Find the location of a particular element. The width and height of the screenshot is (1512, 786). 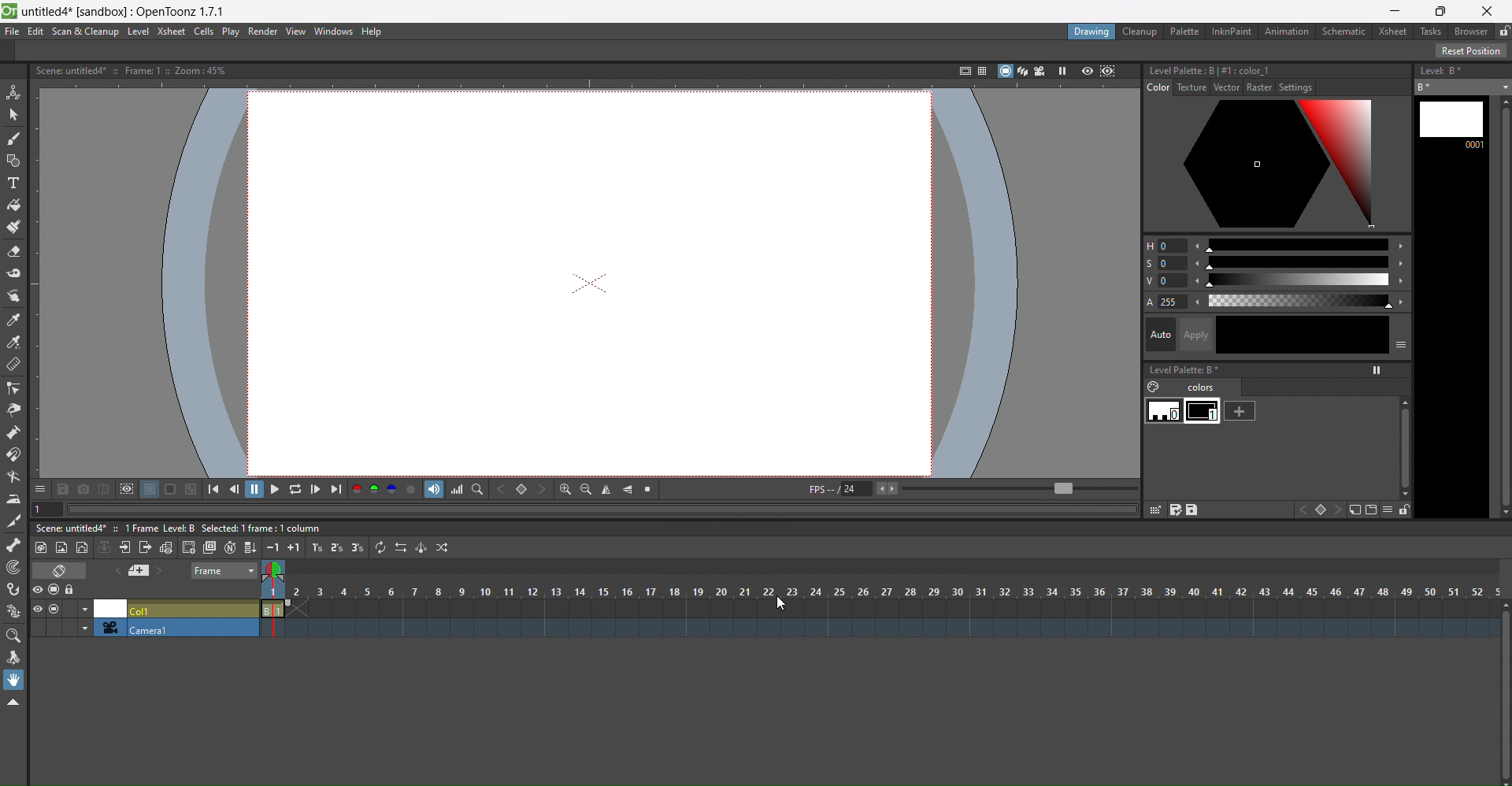

add new memo is located at coordinates (143, 570).